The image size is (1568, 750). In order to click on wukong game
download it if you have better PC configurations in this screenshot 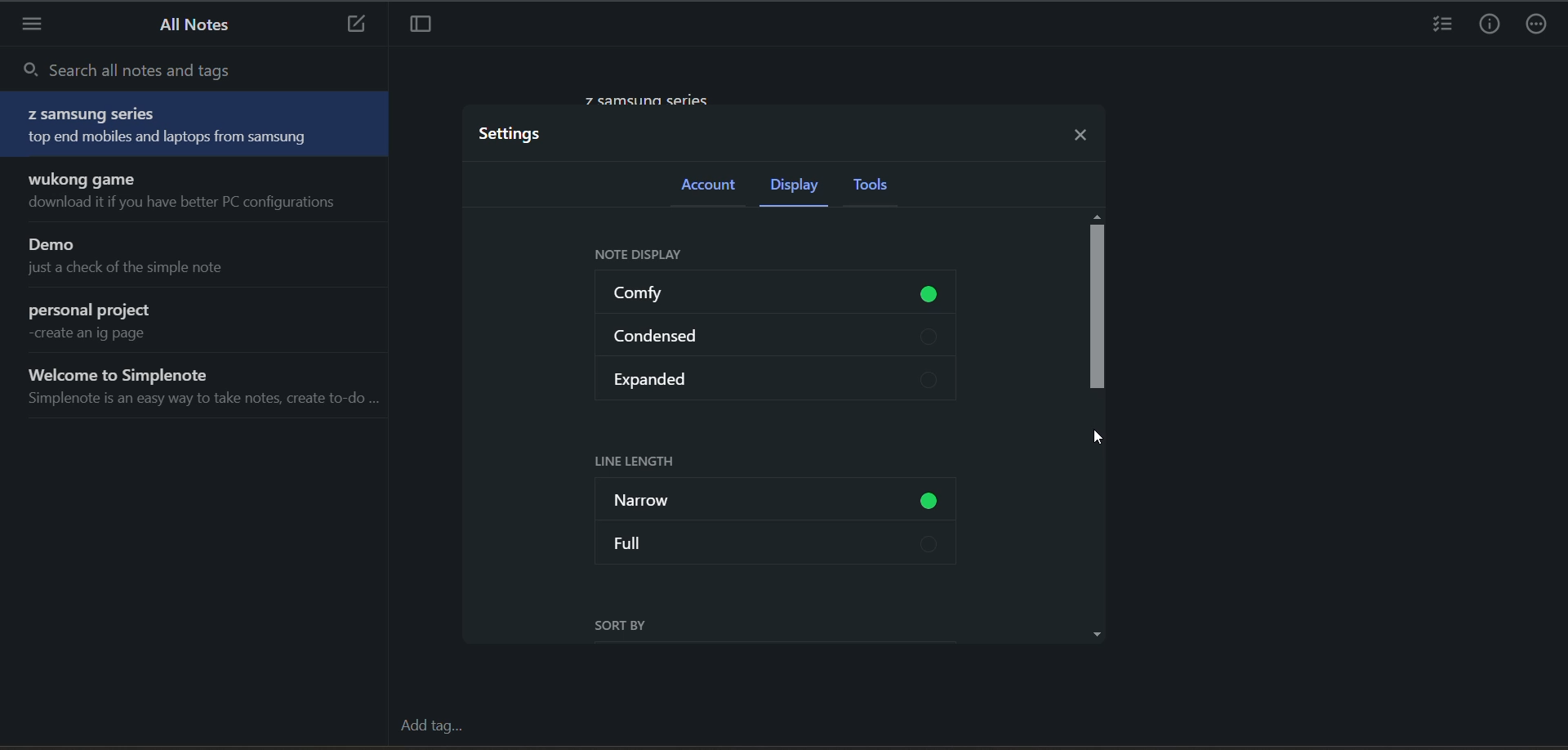, I will do `click(200, 192)`.